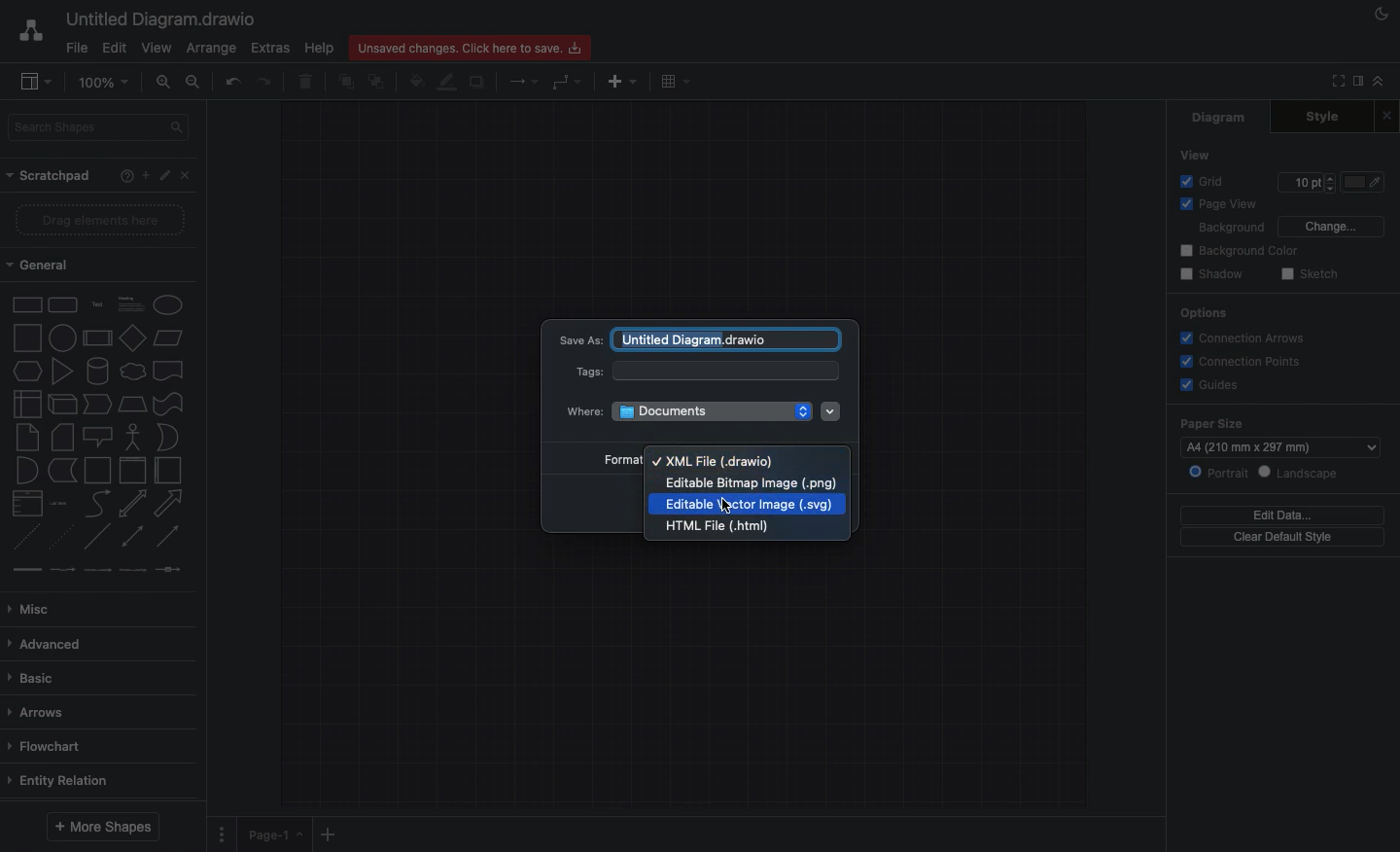 This screenshot has height=852, width=1400. I want to click on Untitled diagram.draw.io, so click(165, 20).